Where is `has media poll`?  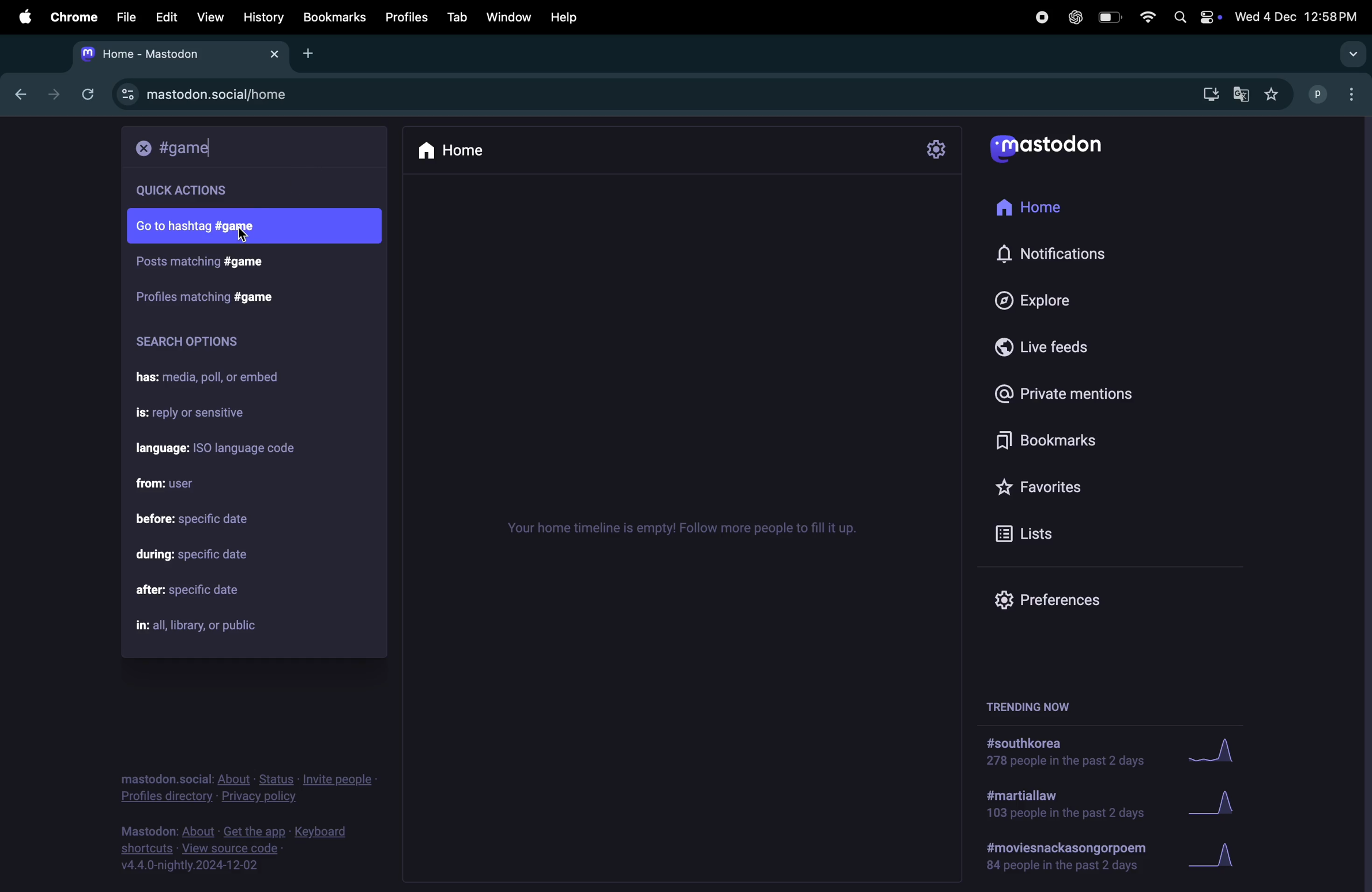
has media poll is located at coordinates (217, 379).